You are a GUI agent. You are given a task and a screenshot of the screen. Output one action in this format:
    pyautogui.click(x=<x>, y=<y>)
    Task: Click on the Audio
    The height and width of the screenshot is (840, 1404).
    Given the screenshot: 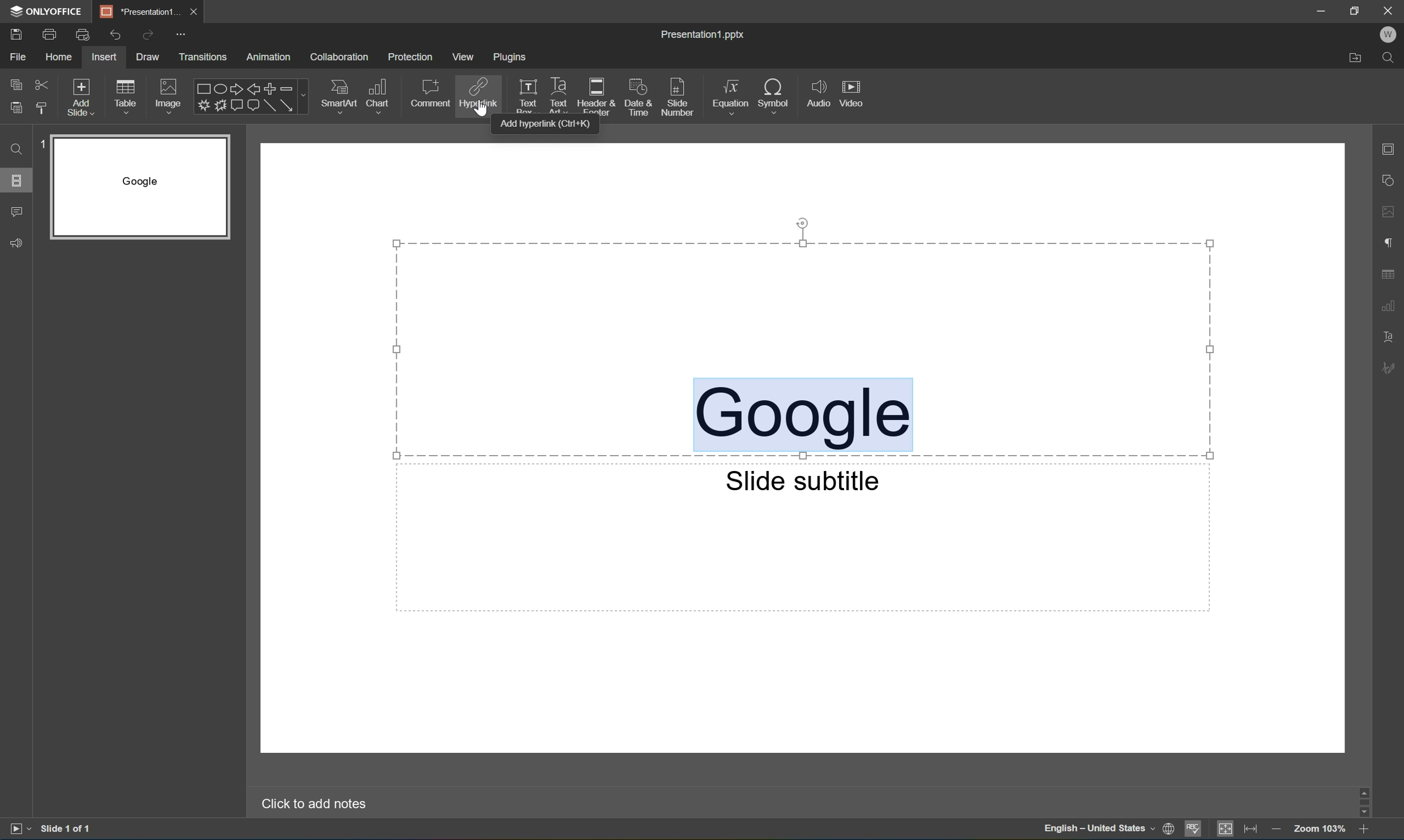 What is the action you would take?
    pyautogui.click(x=817, y=90)
    